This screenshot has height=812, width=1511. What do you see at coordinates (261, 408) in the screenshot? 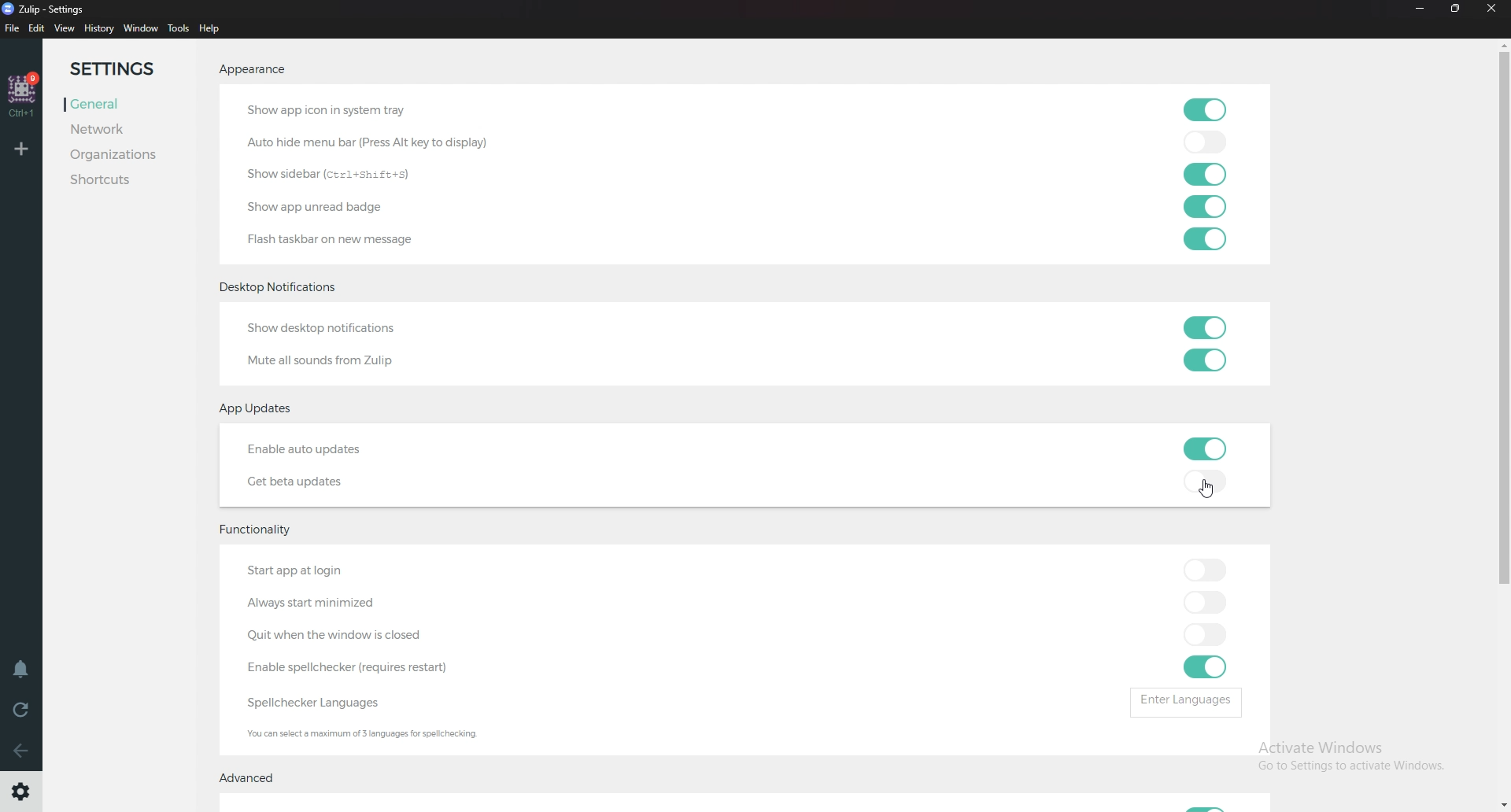
I see `App updates` at bounding box center [261, 408].